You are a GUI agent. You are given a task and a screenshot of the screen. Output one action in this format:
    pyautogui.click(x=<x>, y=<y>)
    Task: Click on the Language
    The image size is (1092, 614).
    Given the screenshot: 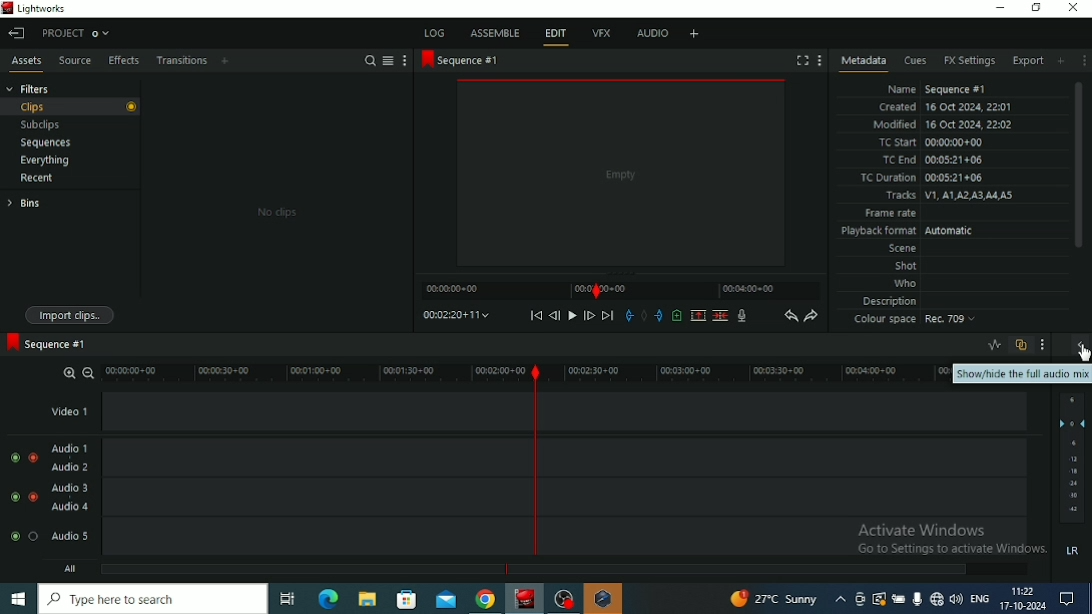 What is the action you would take?
    pyautogui.click(x=981, y=597)
    